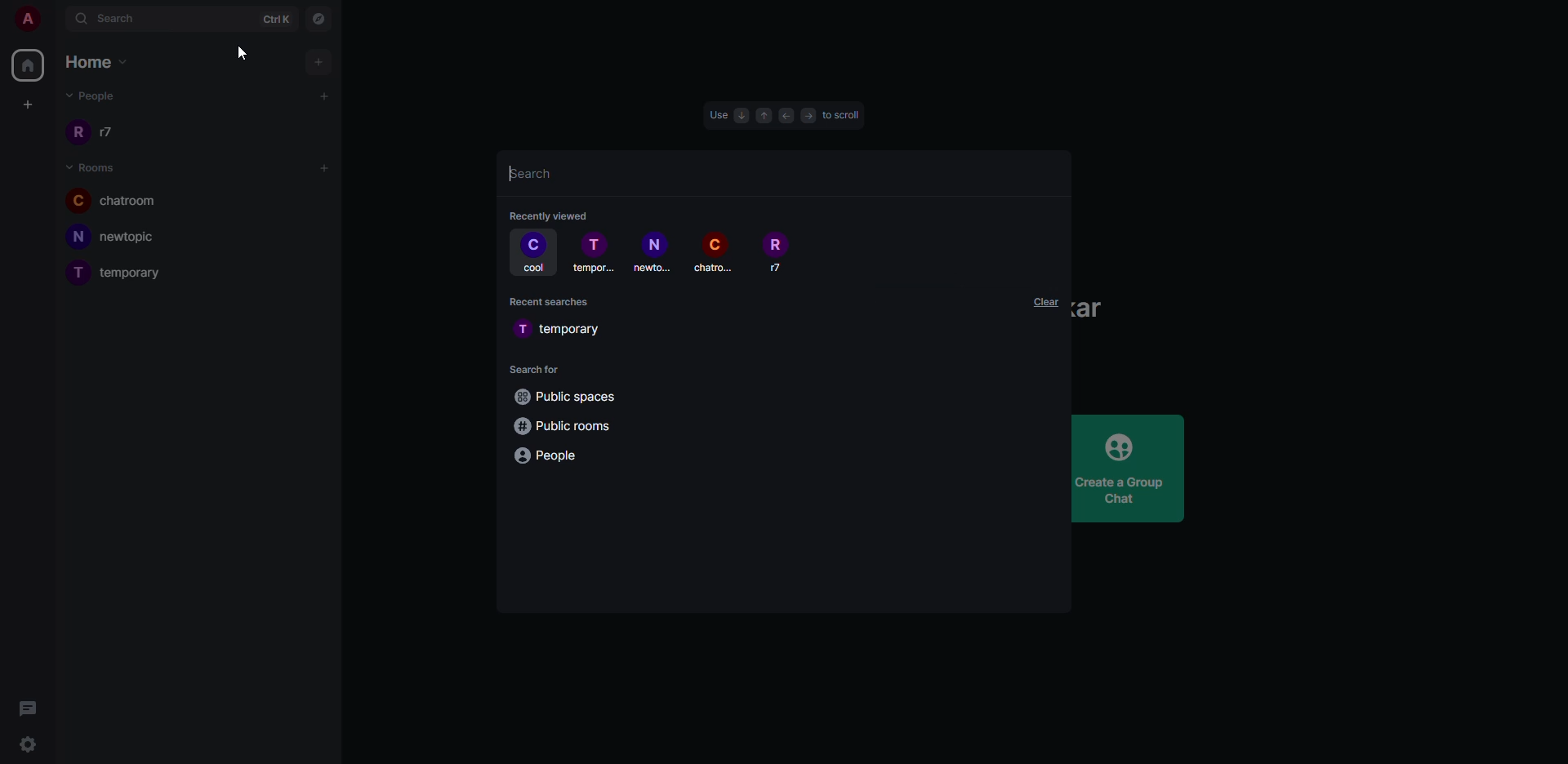 This screenshot has width=1568, height=764. I want to click on search, so click(541, 369).